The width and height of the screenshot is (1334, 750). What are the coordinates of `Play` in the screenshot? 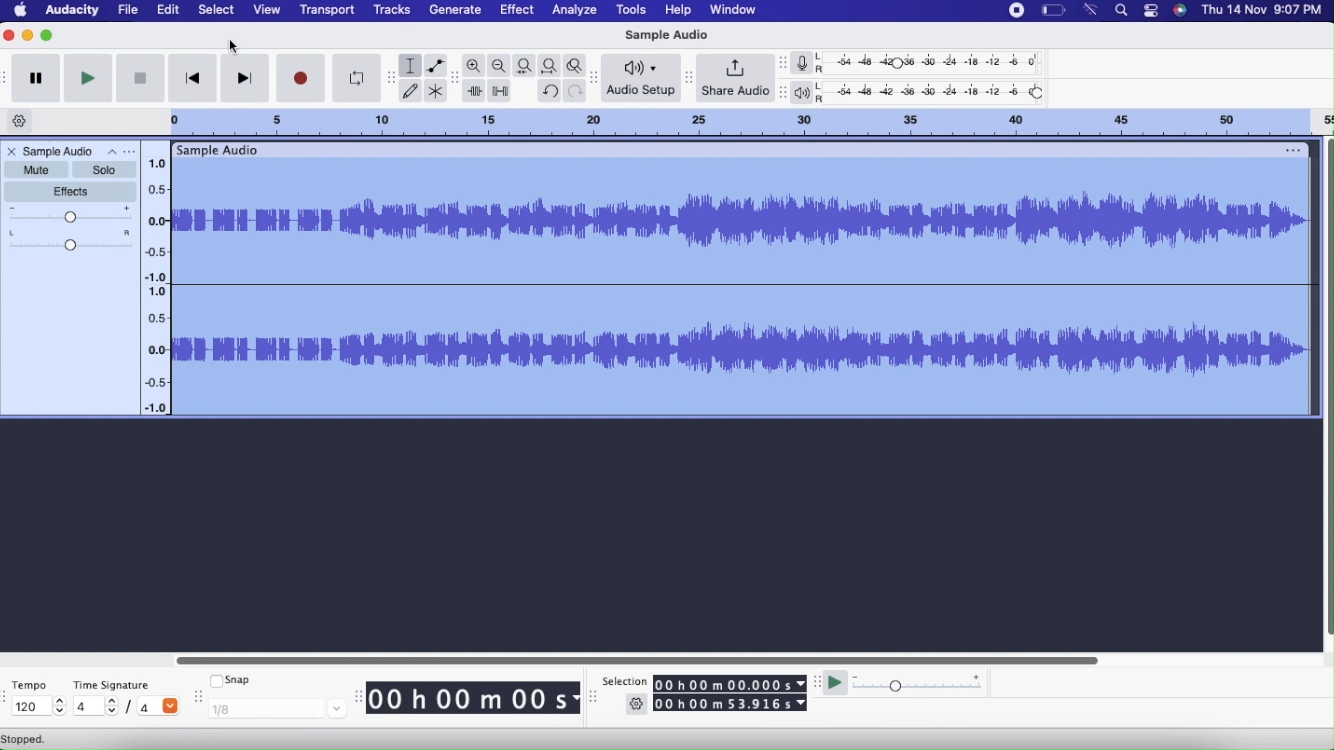 It's located at (90, 78).